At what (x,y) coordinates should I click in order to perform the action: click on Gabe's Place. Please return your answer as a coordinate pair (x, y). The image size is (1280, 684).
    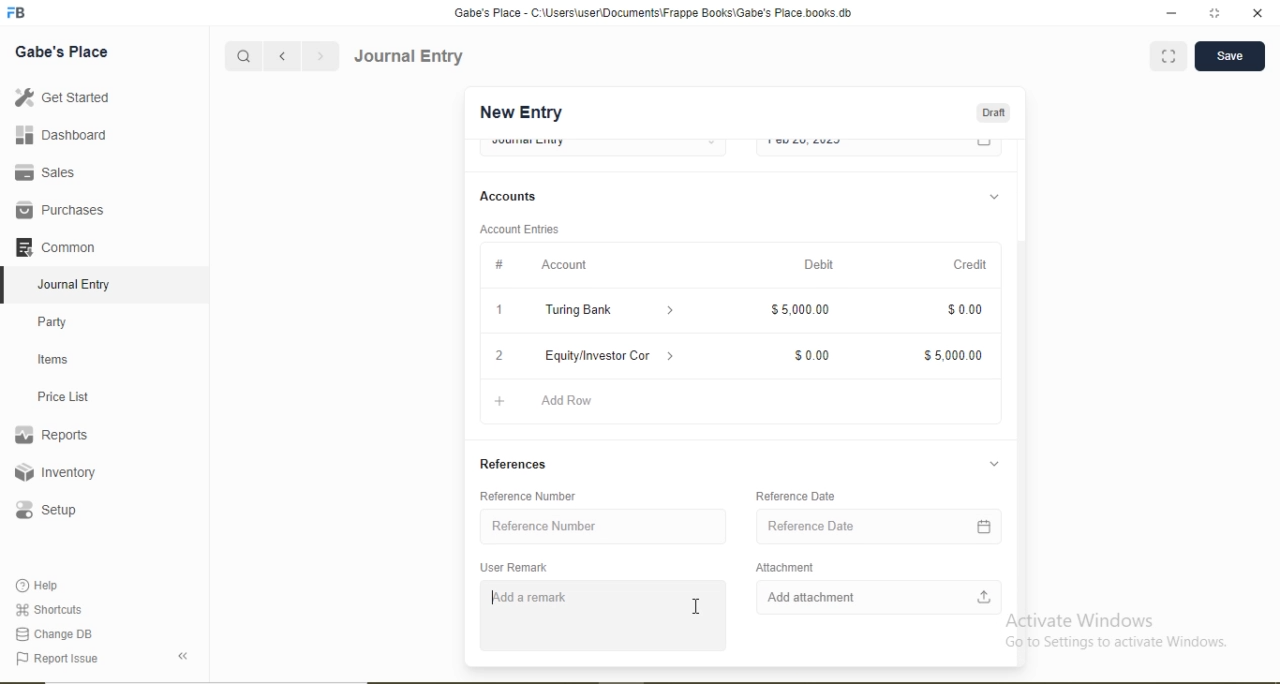
    Looking at the image, I should click on (62, 52).